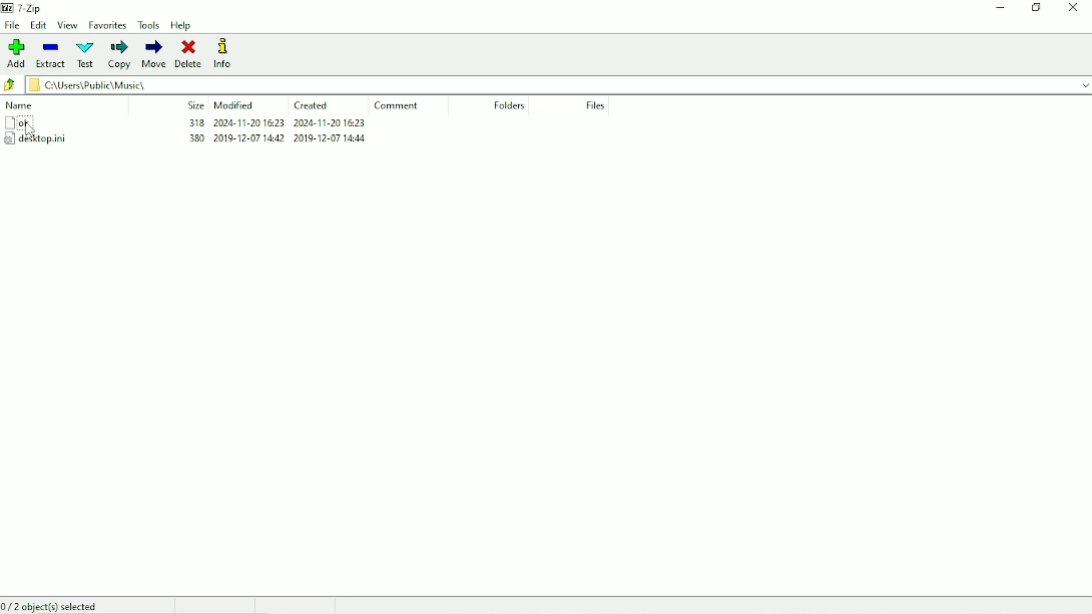 The height and width of the screenshot is (614, 1092). What do you see at coordinates (313, 105) in the screenshot?
I see `Created` at bounding box center [313, 105].